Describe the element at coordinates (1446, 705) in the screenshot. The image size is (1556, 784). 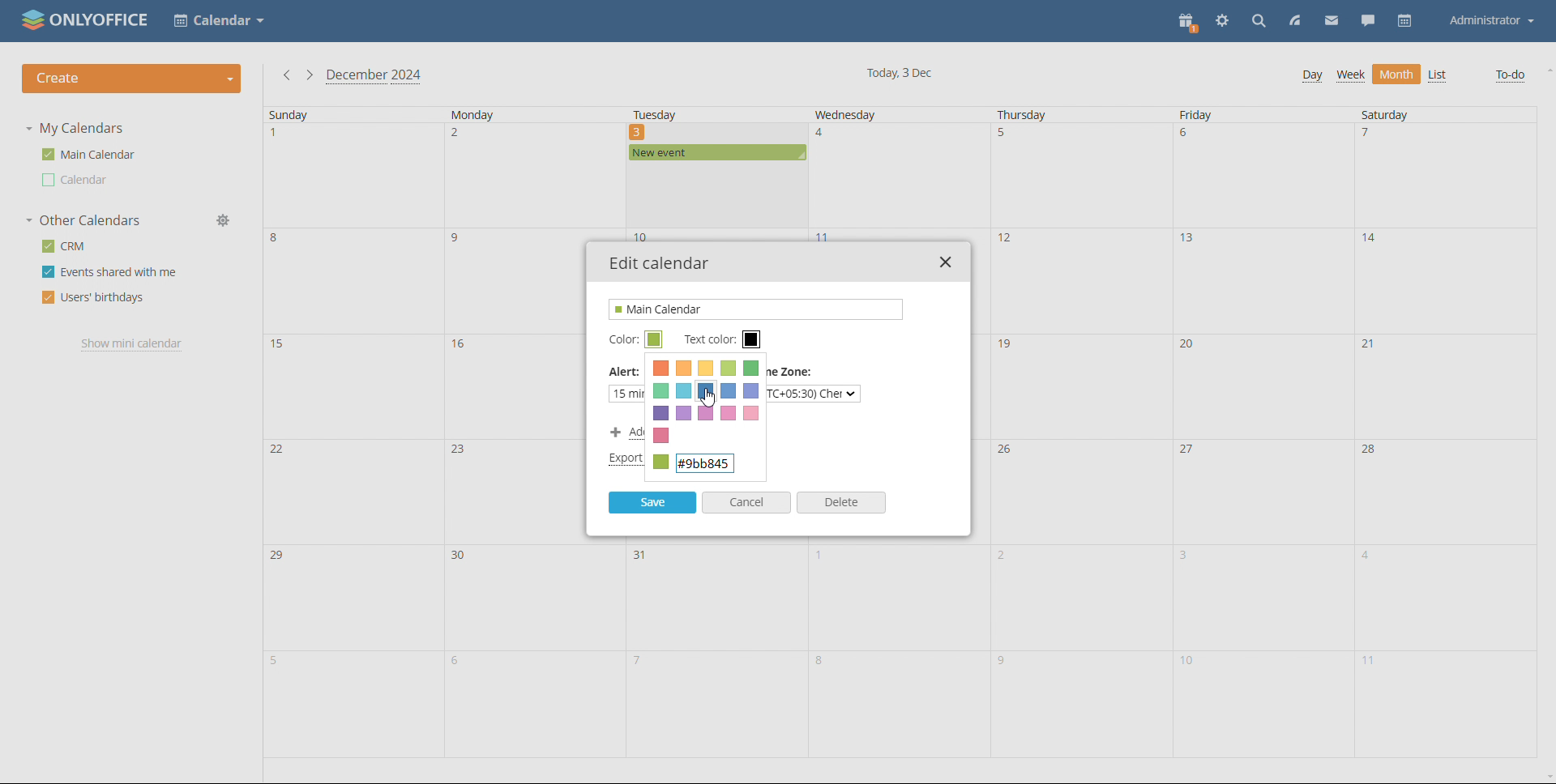
I see `date` at that location.